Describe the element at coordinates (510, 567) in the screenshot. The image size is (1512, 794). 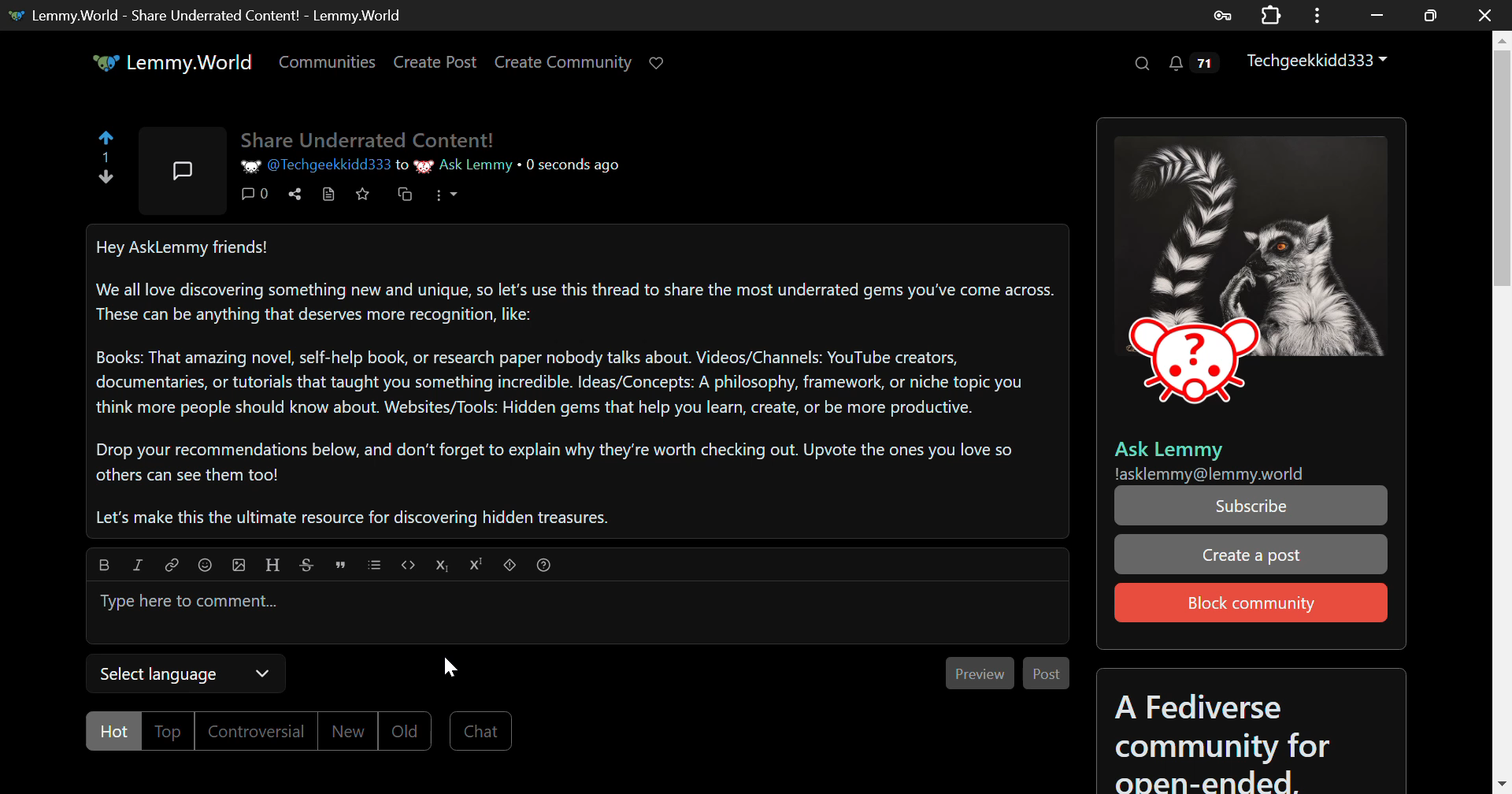
I see `Spoiler` at that location.